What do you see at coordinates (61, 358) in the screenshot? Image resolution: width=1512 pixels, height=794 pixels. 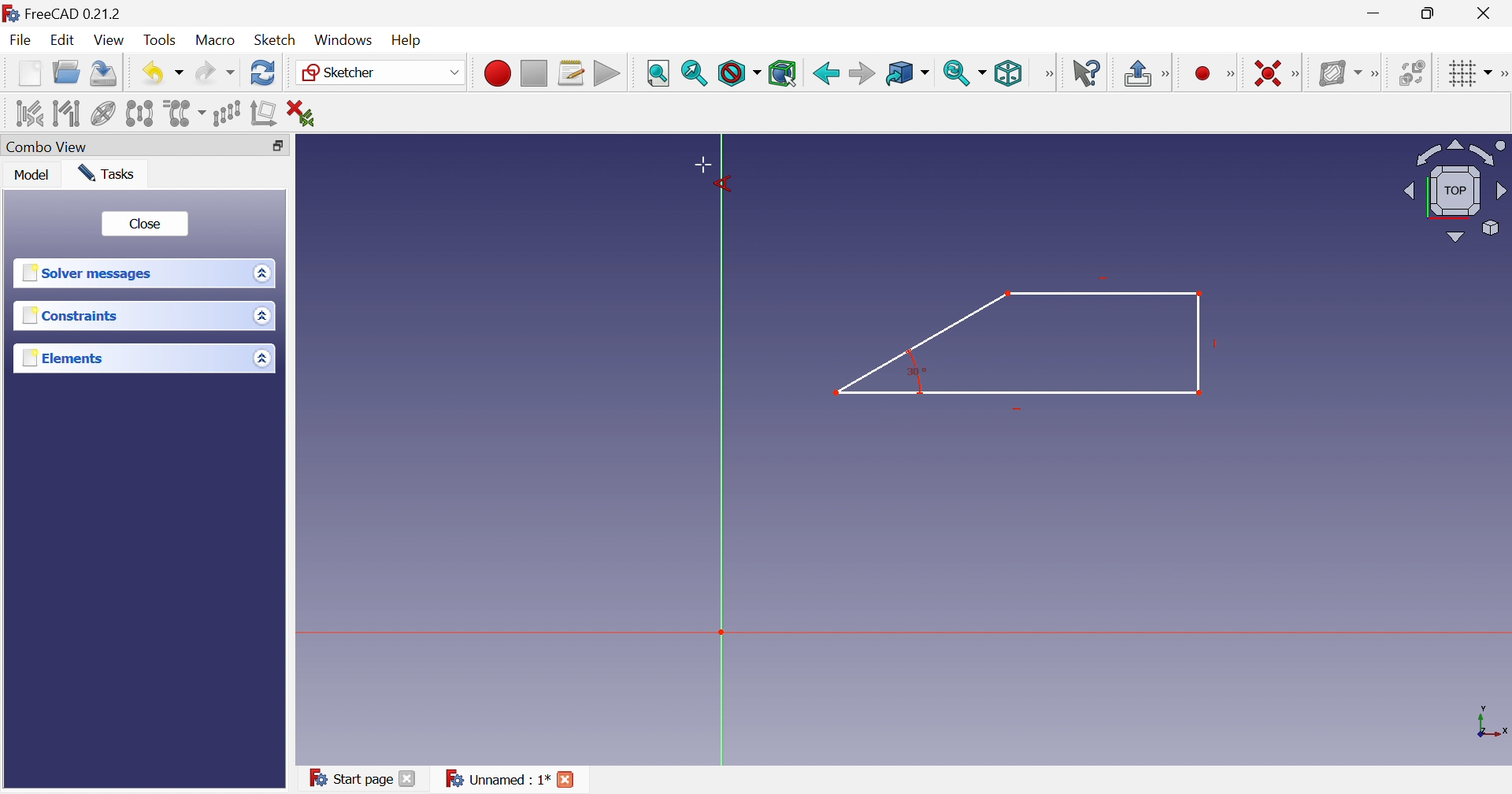 I see `Elements` at bounding box center [61, 358].